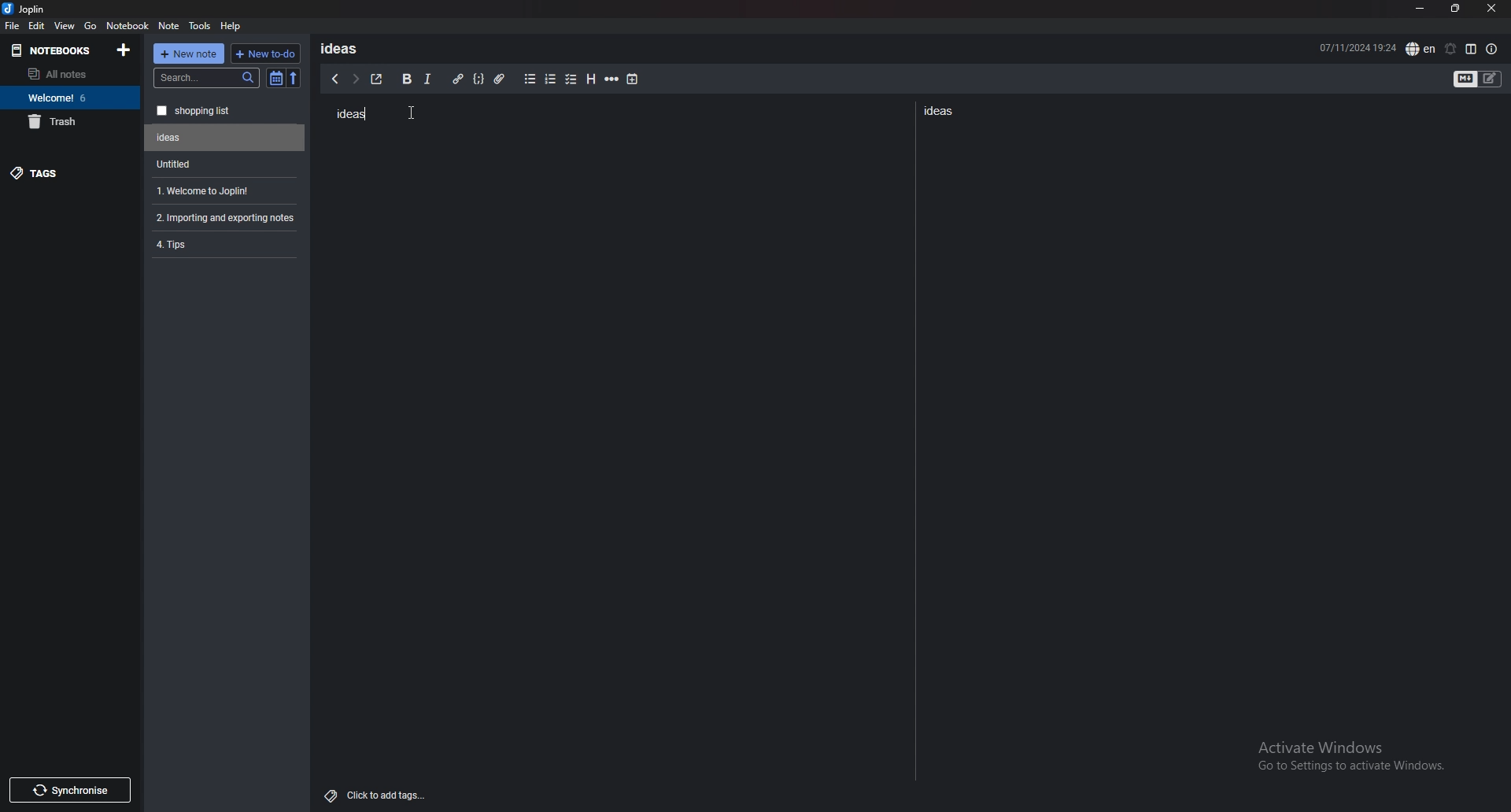  I want to click on note properties, so click(1492, 50).